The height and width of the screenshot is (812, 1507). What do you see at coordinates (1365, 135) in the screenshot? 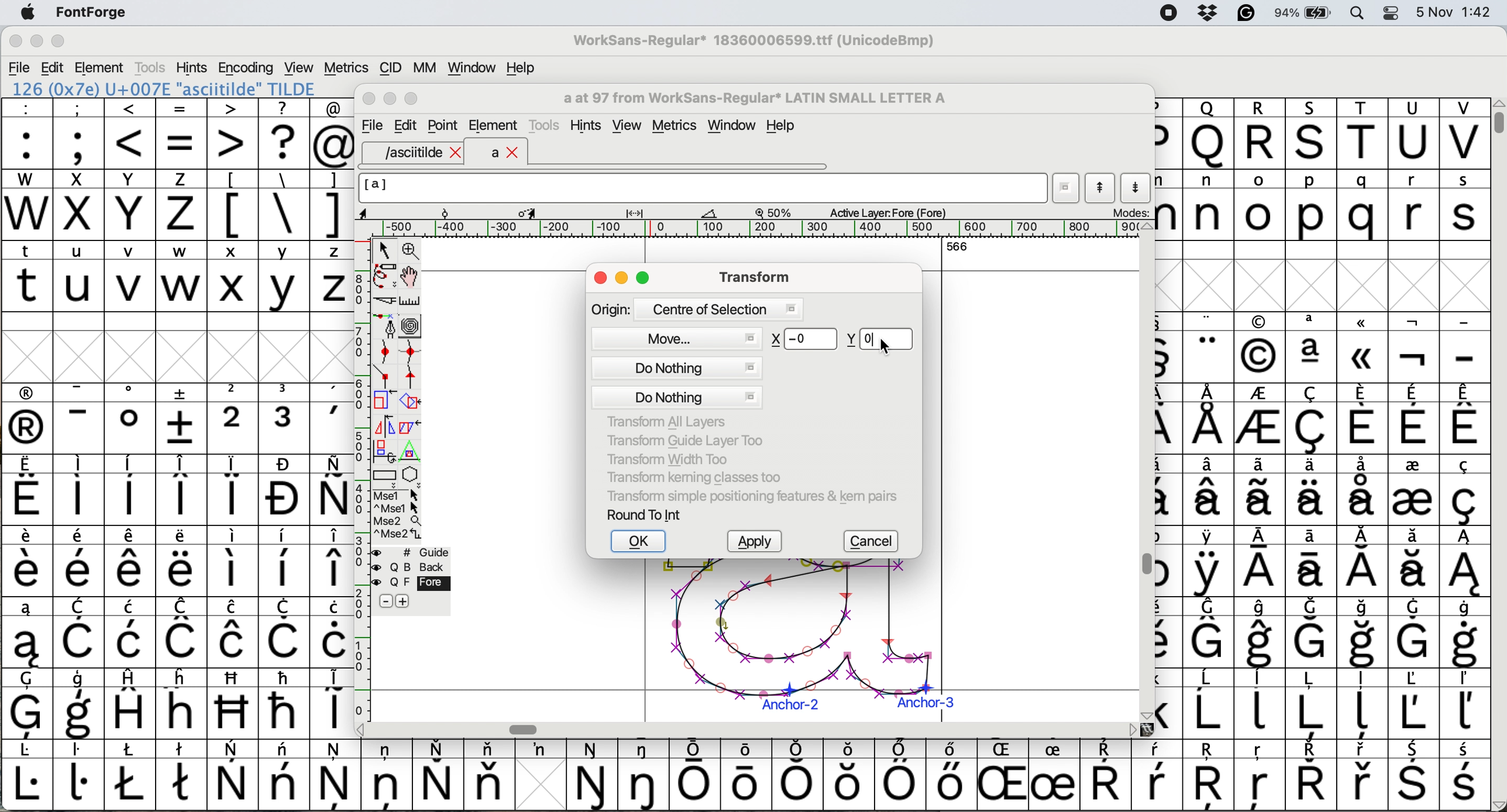
I see `T` at bounding box center [1365, 135].